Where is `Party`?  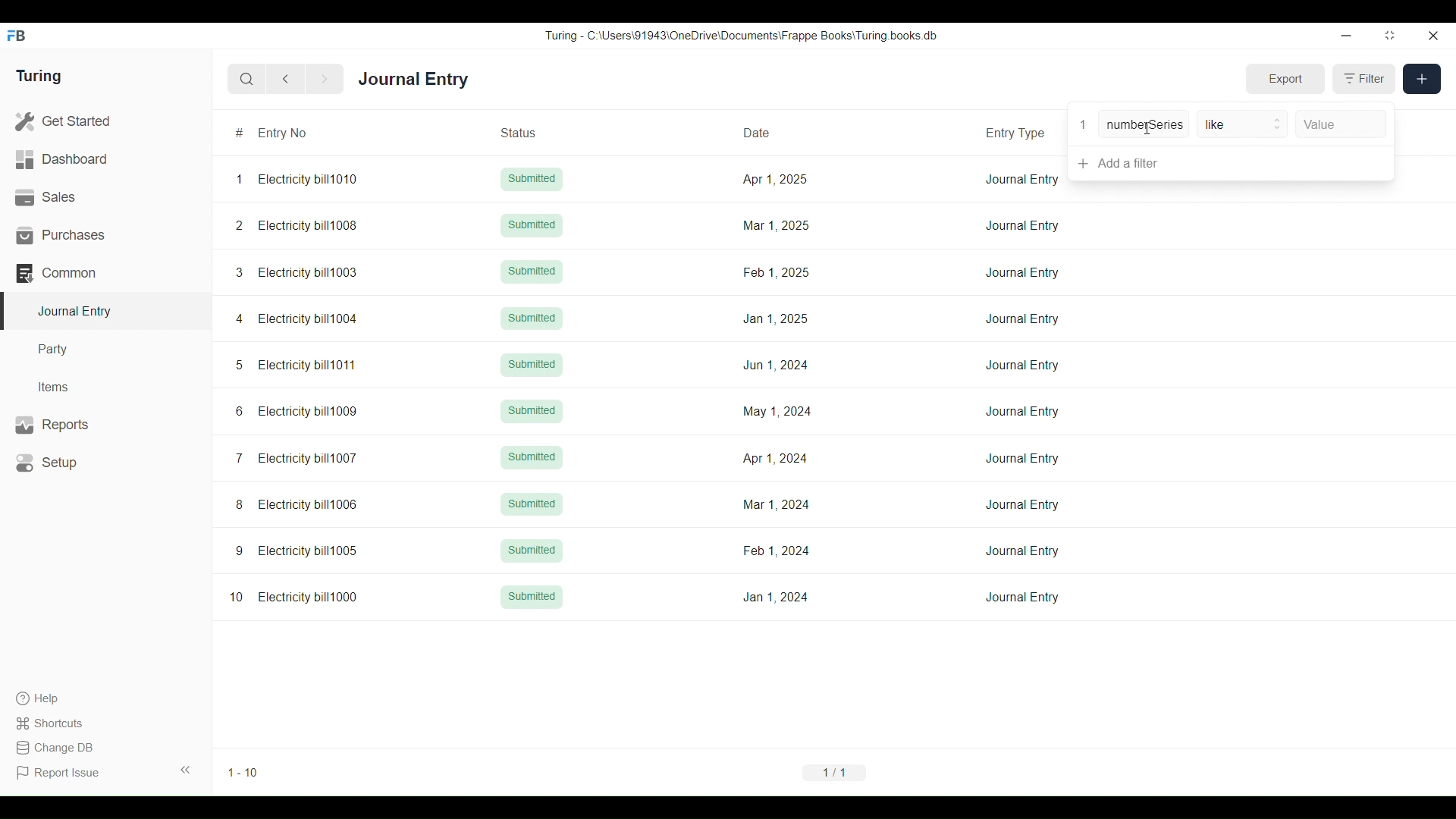 Party is located at coordinates (105, 350).